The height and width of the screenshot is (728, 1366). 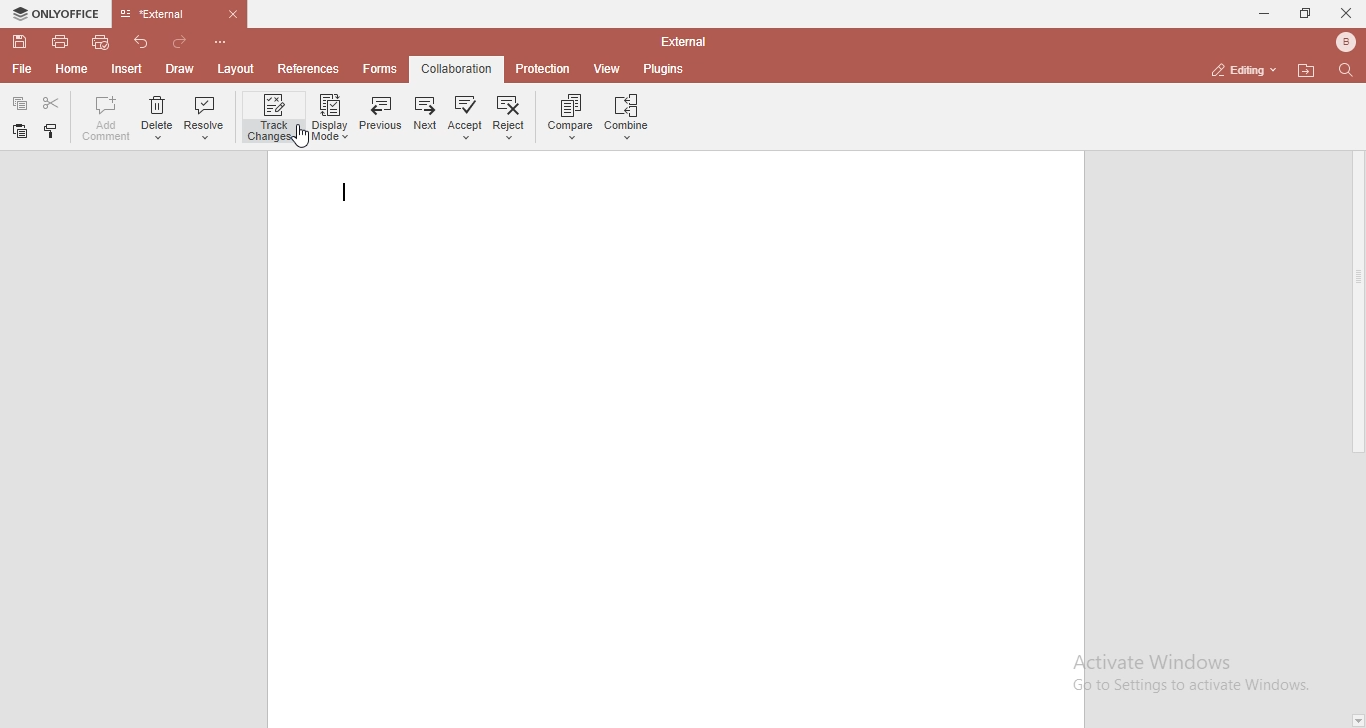 What do you see at coordinates (21, 131) in the screenshot?
I see `copy` at bounding box center [21, 131].